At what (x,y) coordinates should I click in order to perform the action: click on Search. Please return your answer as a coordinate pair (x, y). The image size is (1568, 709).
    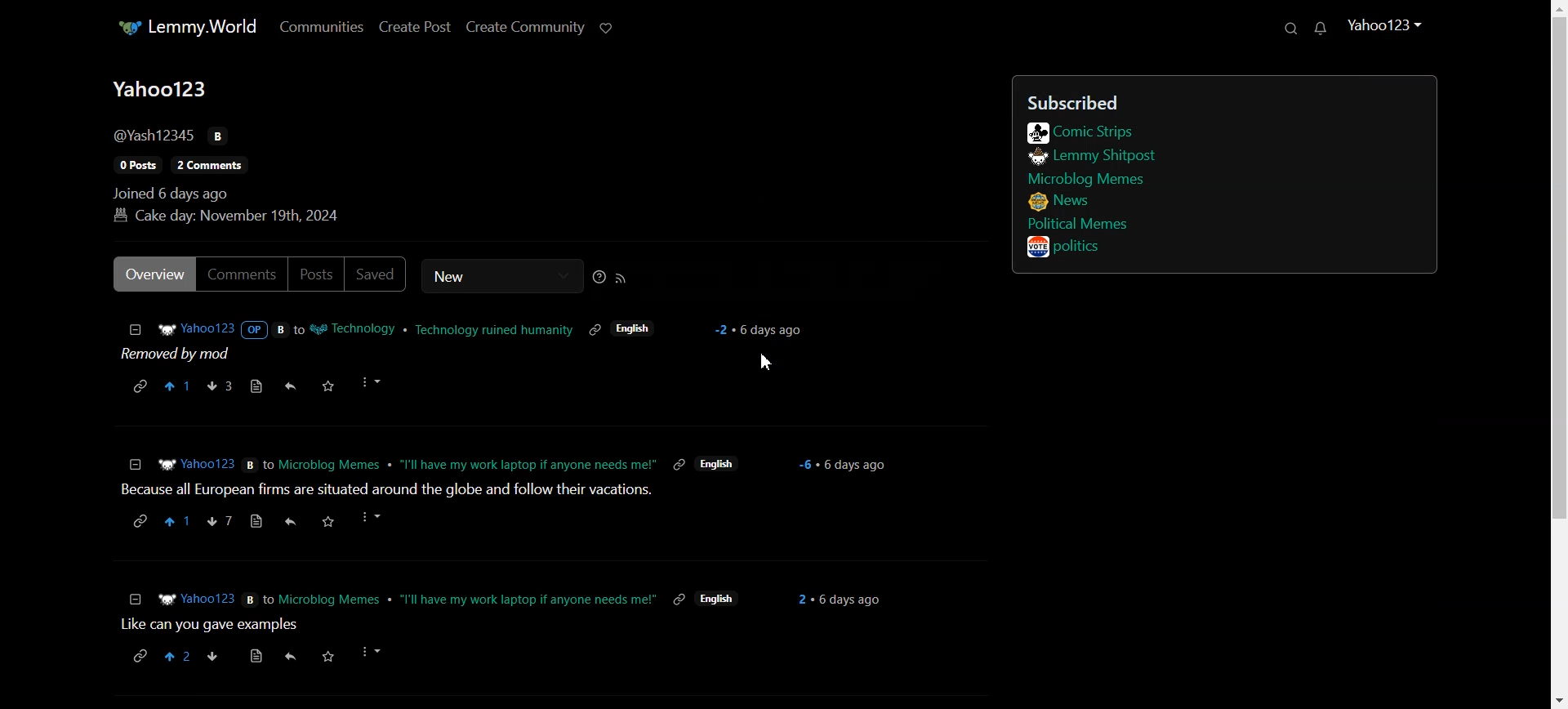
    Looking at the image, I should click on (1289, 28).